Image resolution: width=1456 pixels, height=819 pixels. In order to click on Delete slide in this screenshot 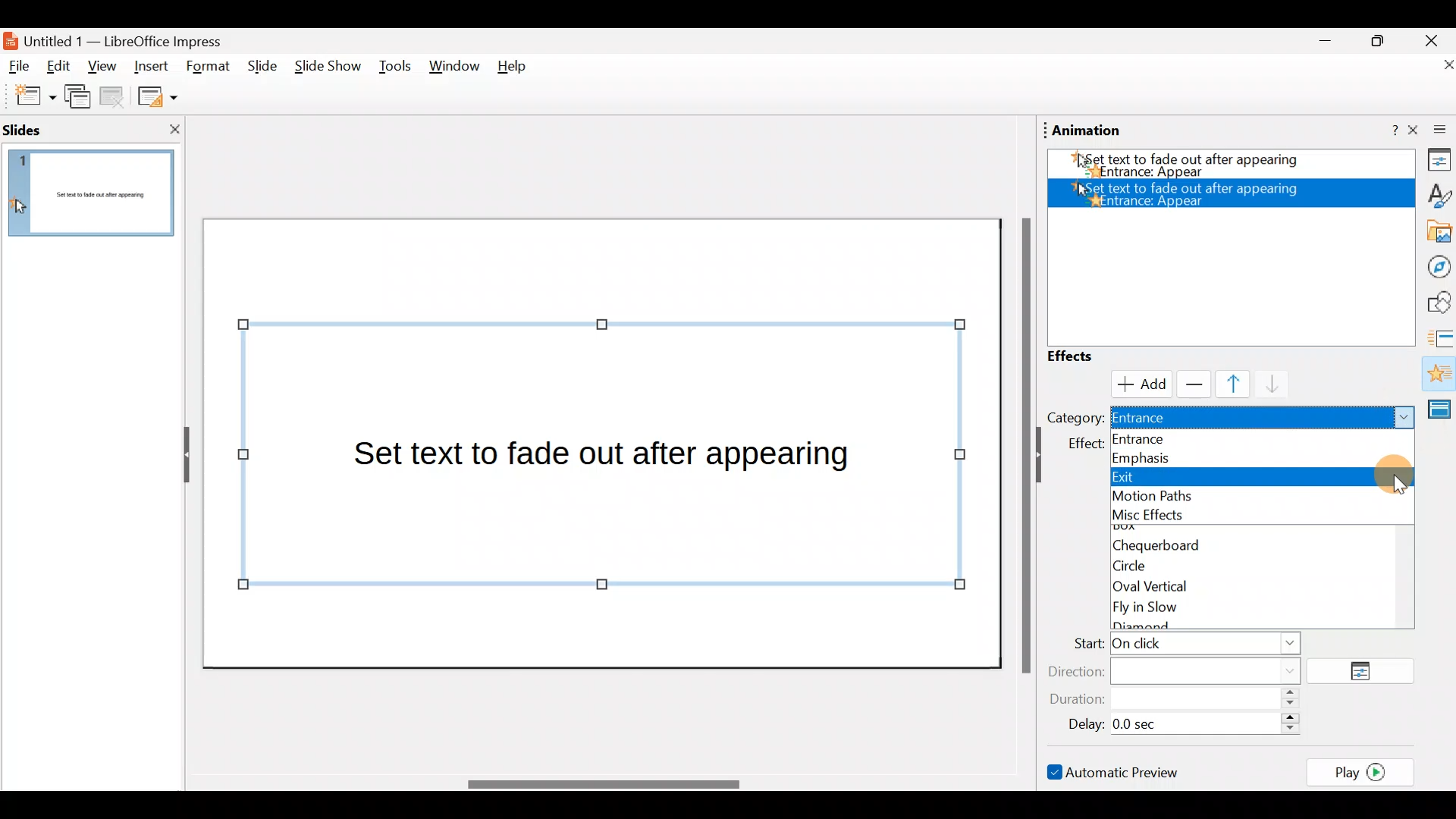, I will do `click(115, 99)`.